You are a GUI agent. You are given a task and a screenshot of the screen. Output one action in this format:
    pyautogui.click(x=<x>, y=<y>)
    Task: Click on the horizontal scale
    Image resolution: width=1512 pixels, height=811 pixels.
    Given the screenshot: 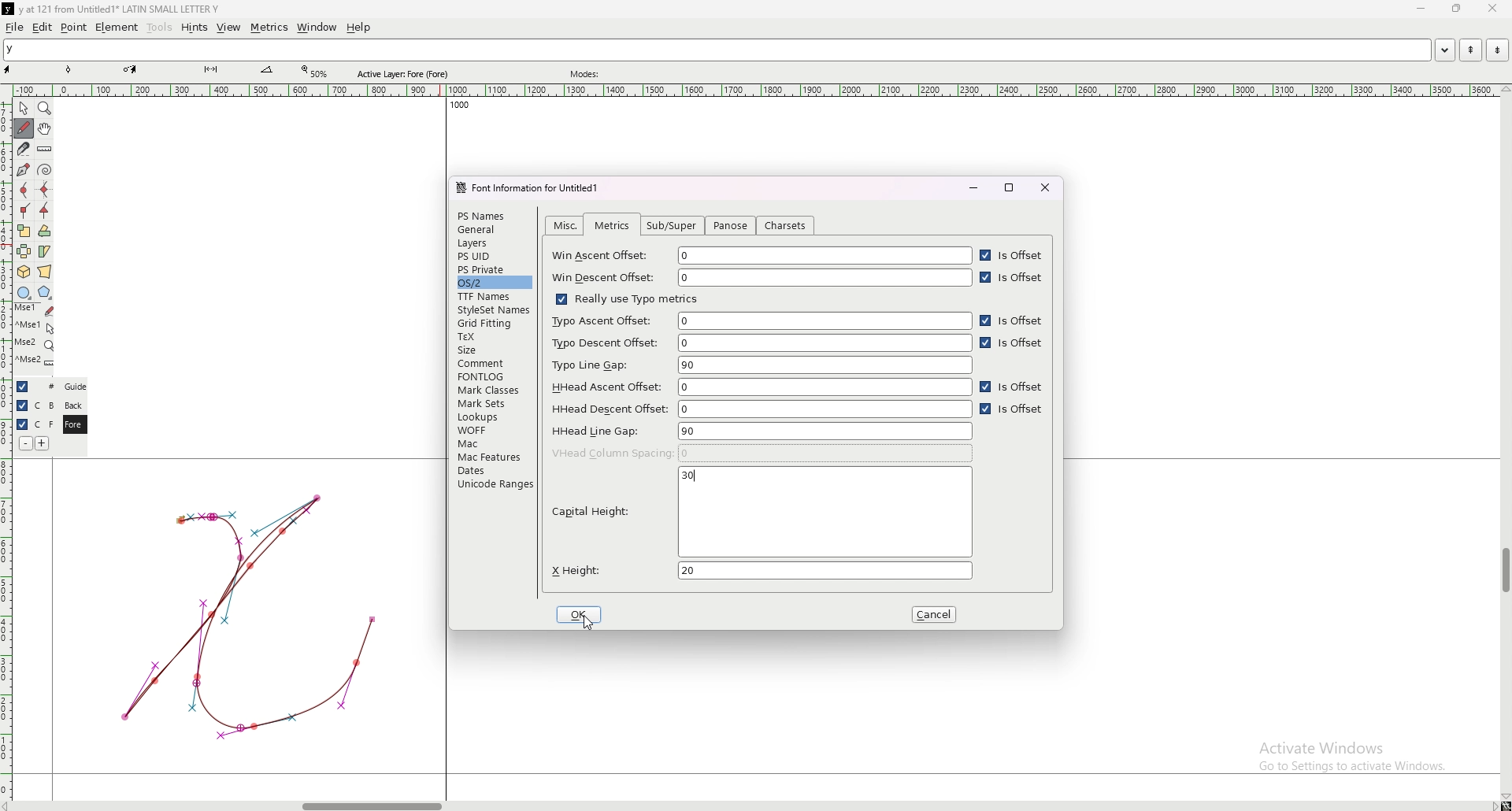 What is the action you would take?
    pyautogui.click(x=756, y=91)
    